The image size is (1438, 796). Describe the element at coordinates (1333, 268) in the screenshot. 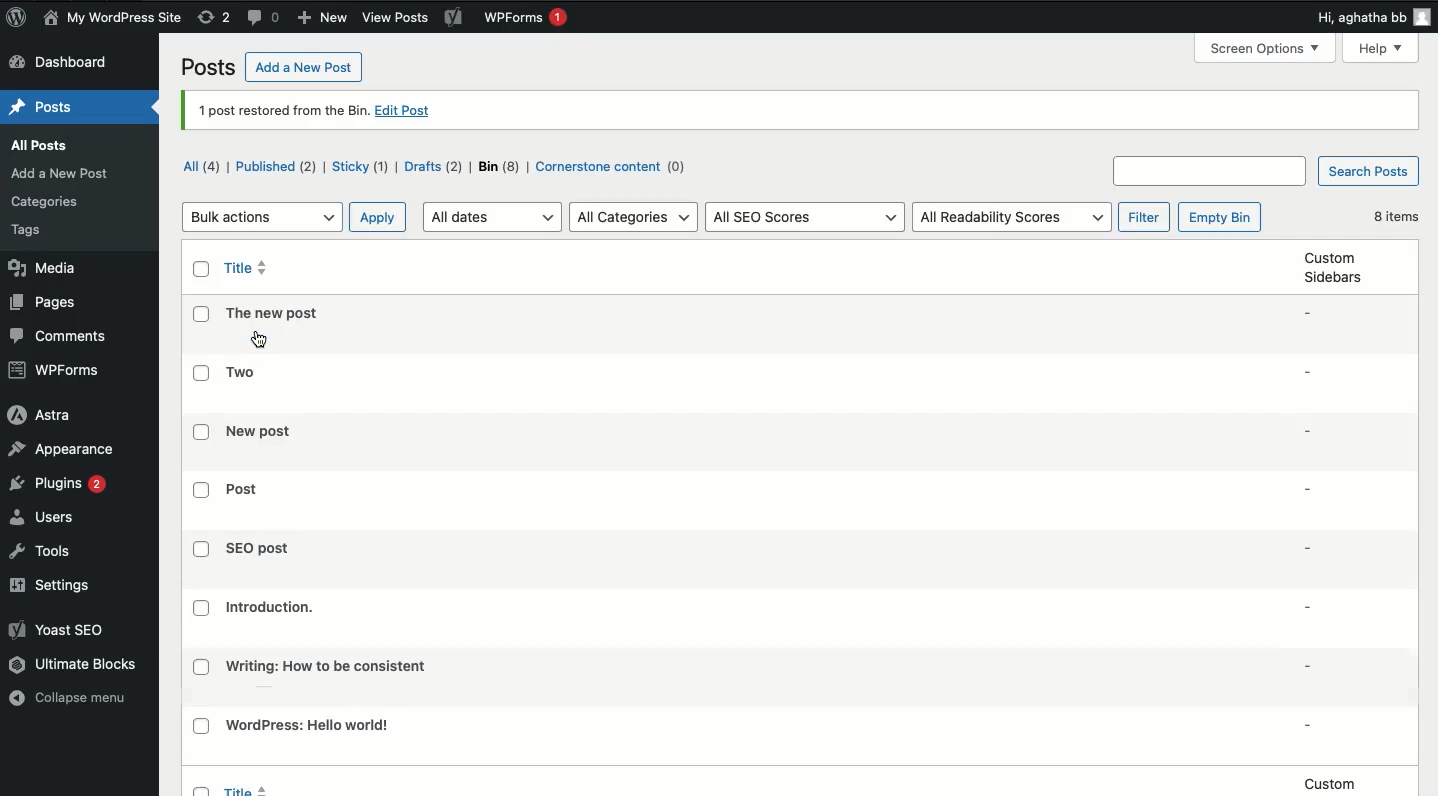

I see `custom Sidebars` at that location.